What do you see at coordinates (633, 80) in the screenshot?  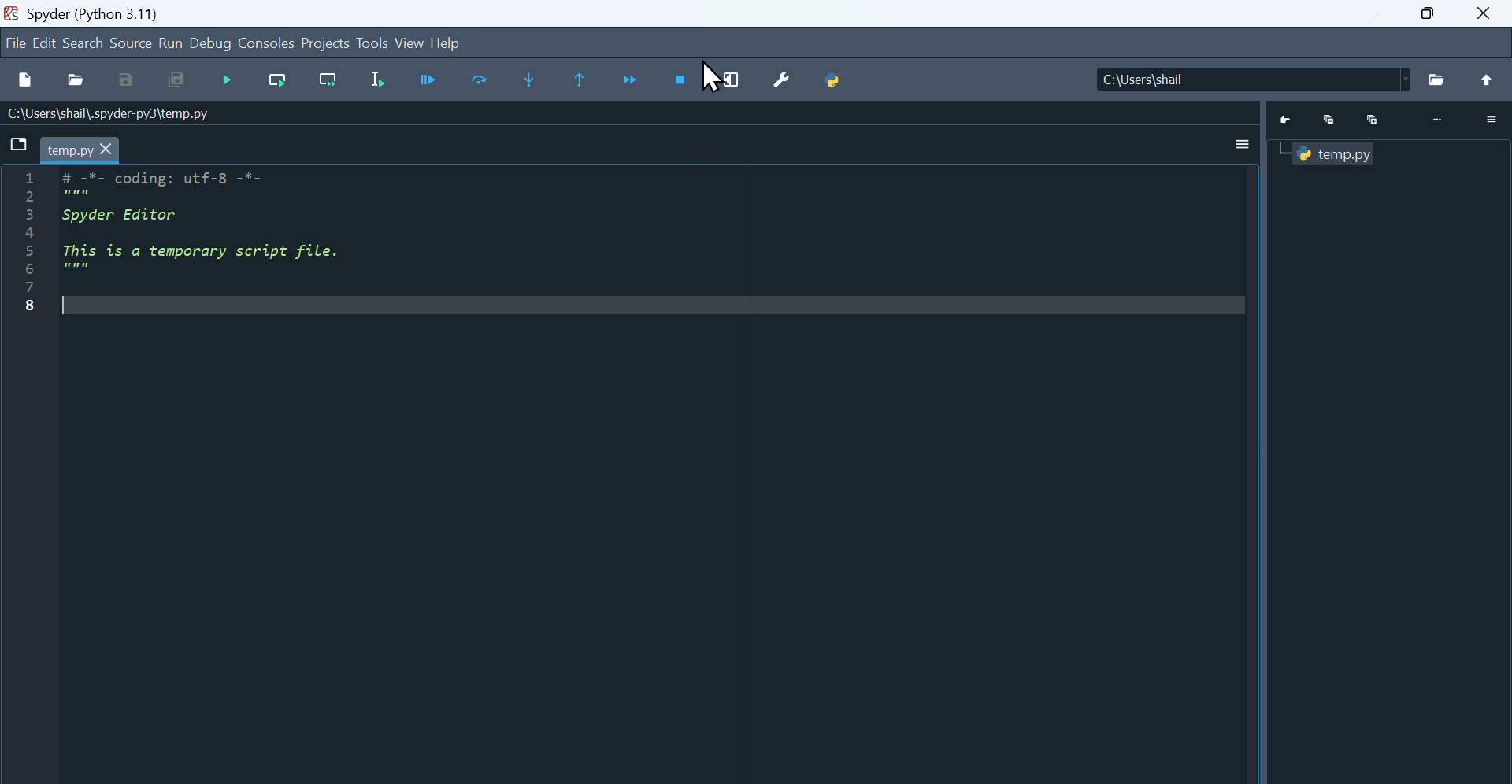 I see `Continue execution until next function` at bounding box center [633, 80].